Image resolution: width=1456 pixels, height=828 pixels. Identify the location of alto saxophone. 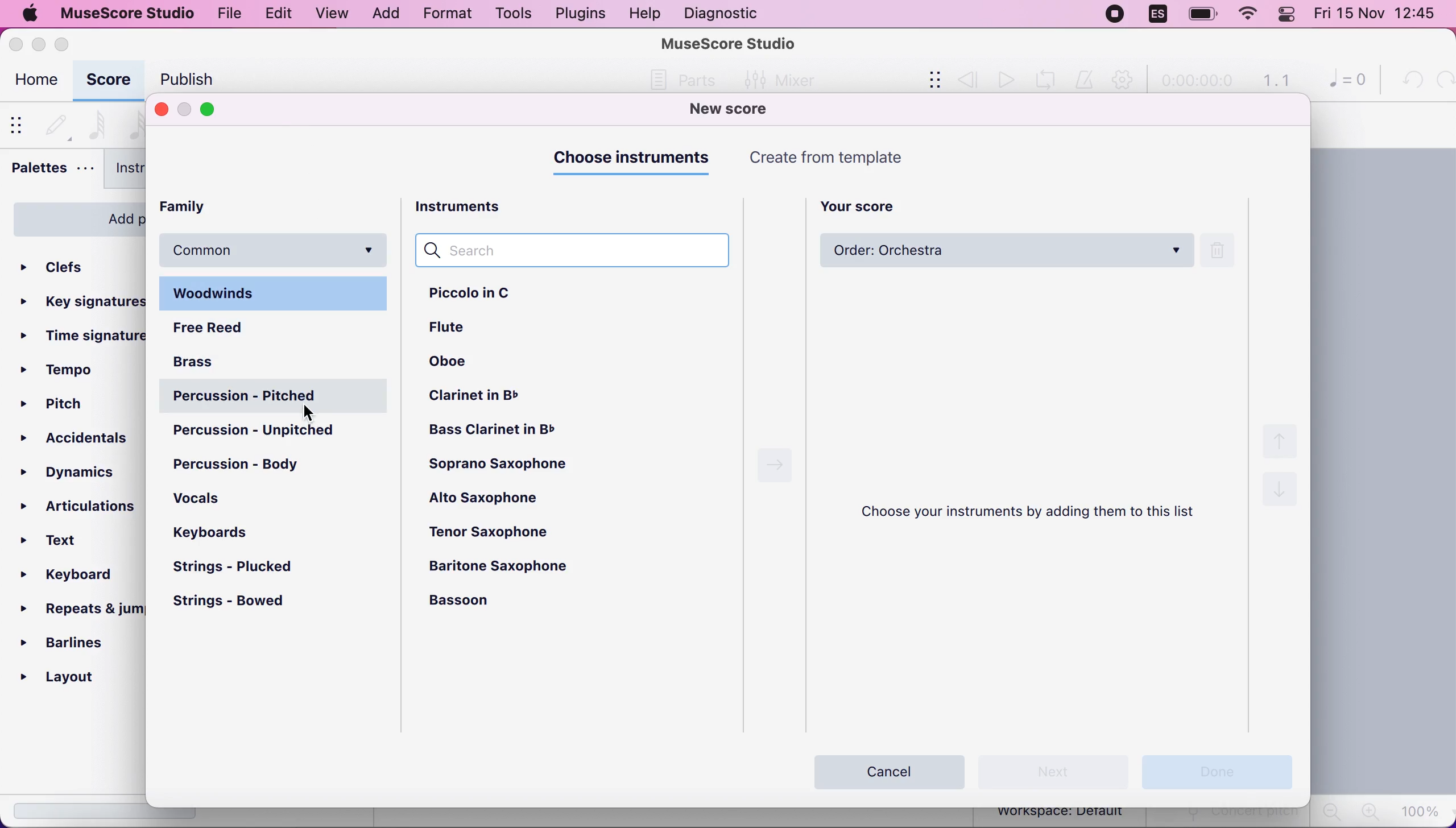
(493, 495).